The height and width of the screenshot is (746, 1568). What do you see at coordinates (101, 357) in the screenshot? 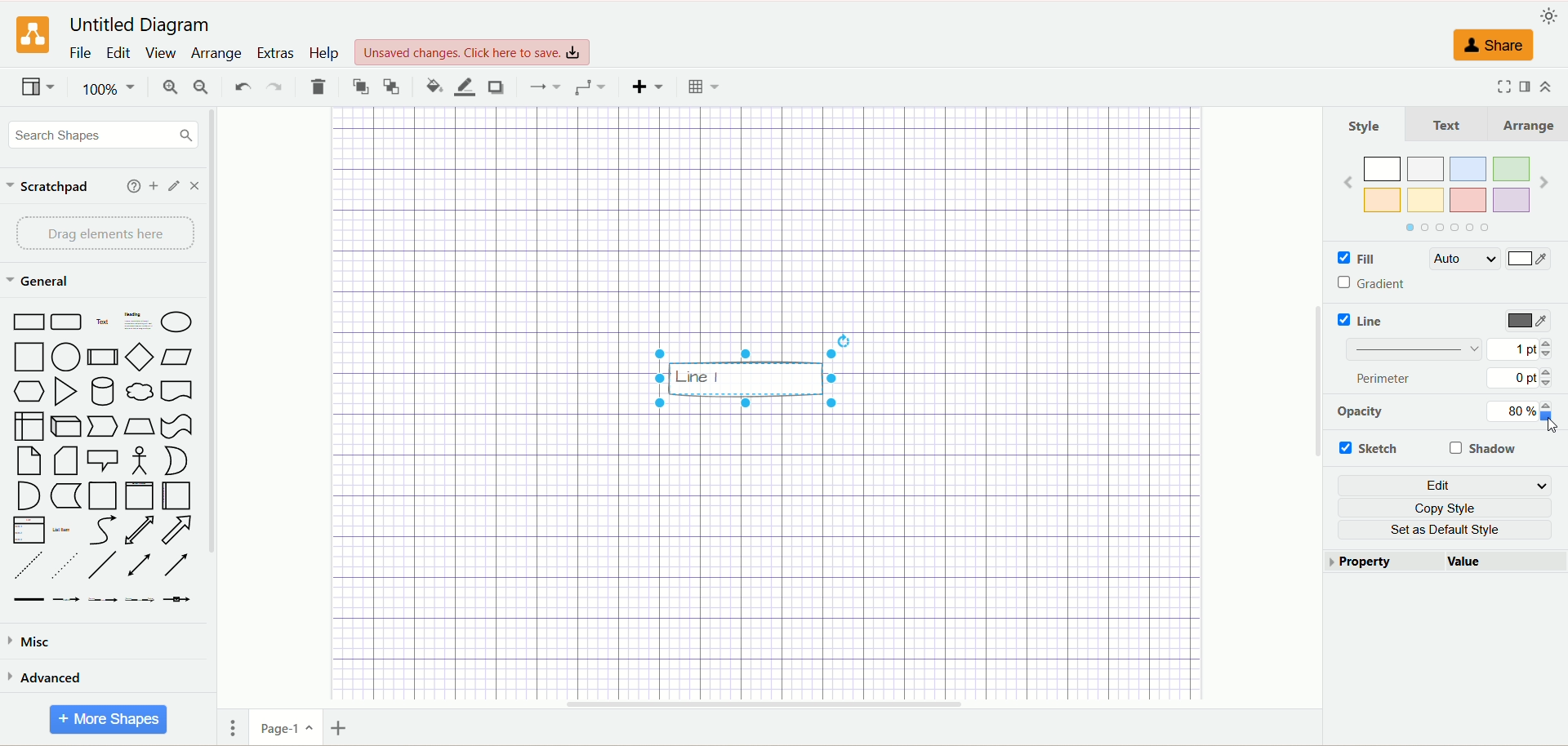
I see `Process` at bounding box center [101, 357].